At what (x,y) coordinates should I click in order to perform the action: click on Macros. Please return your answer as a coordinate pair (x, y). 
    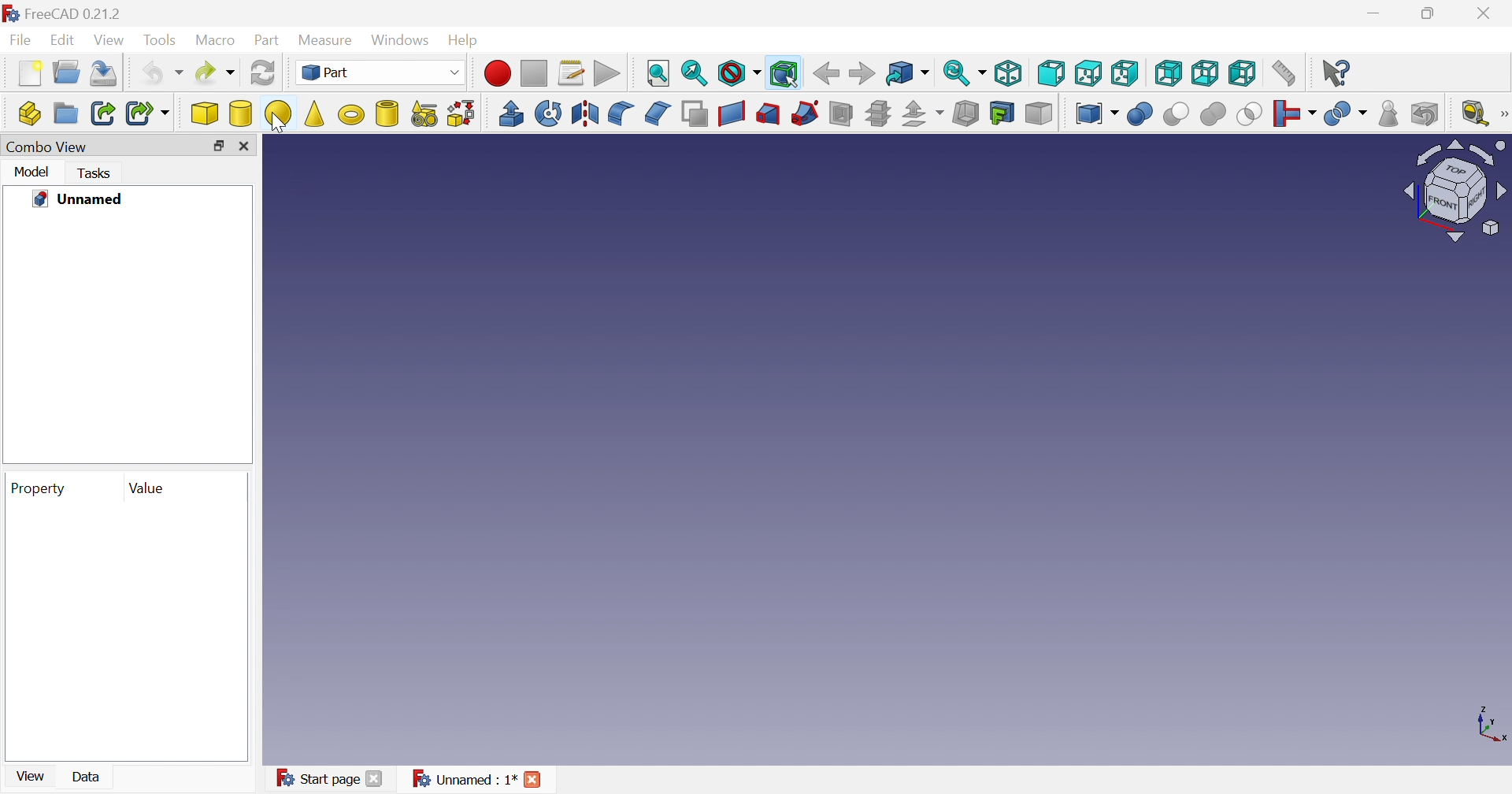
    Looking at the image, I should click on (572, 73).